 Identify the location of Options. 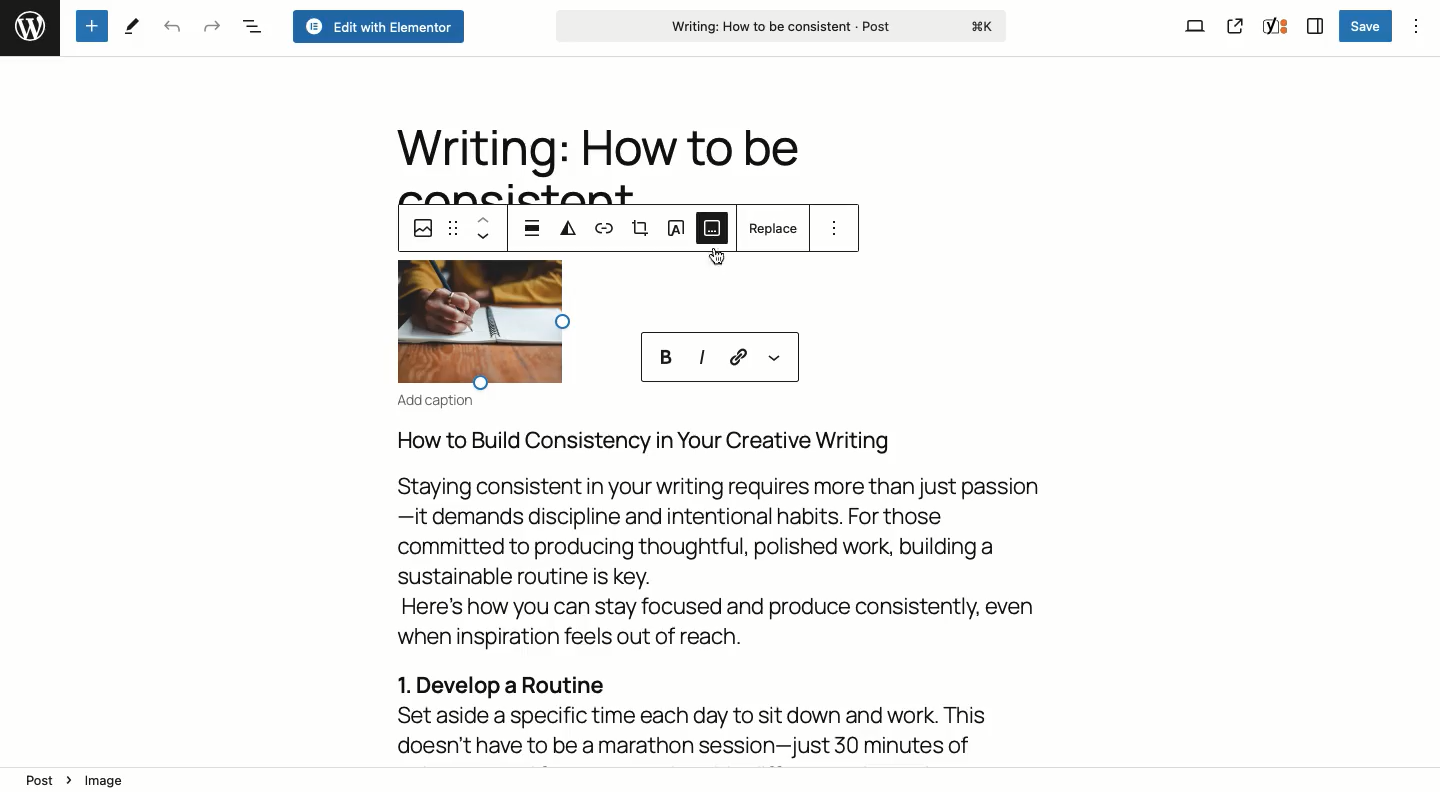
(1415, 24).